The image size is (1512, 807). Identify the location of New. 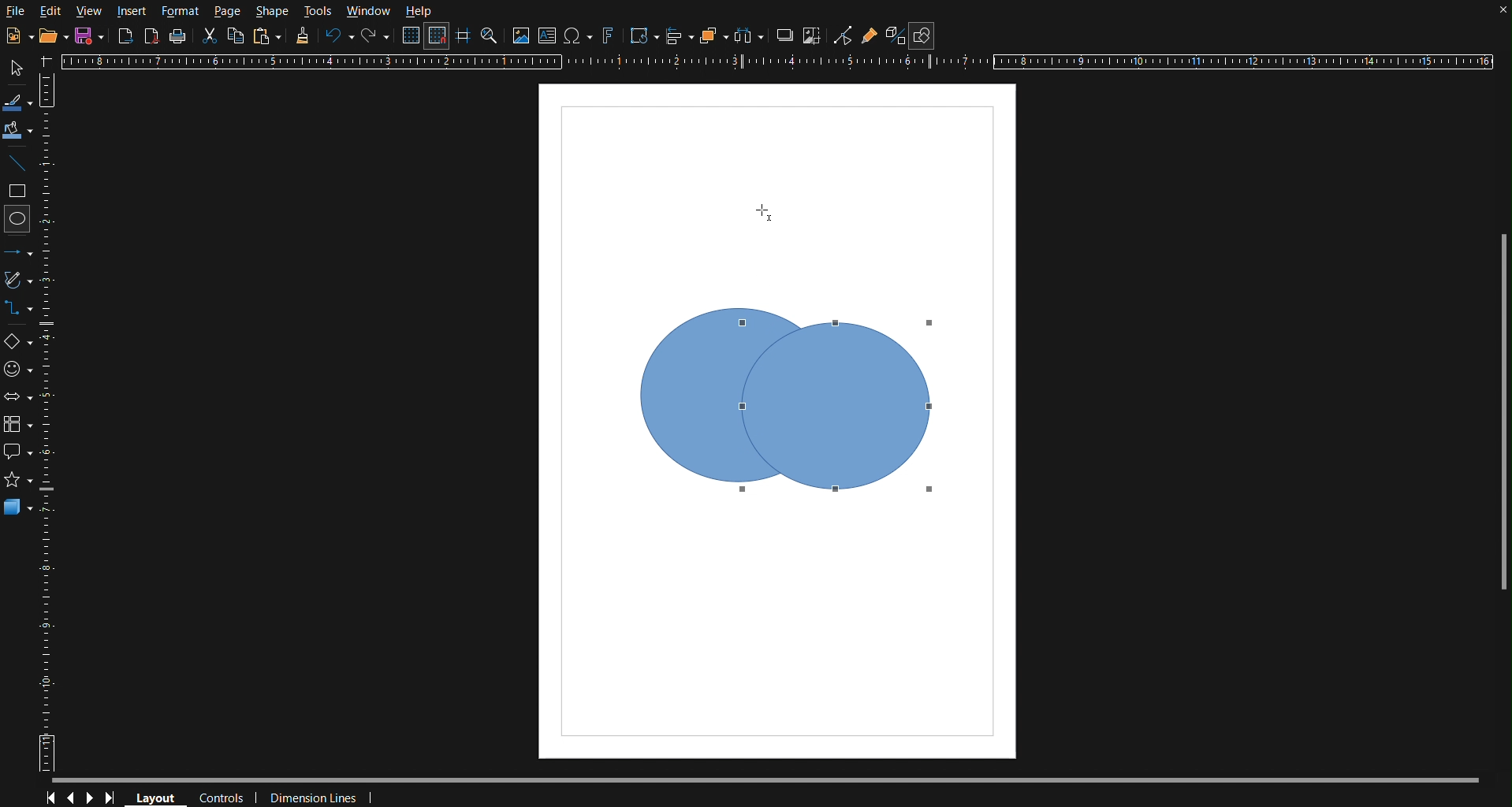
(87, 37).